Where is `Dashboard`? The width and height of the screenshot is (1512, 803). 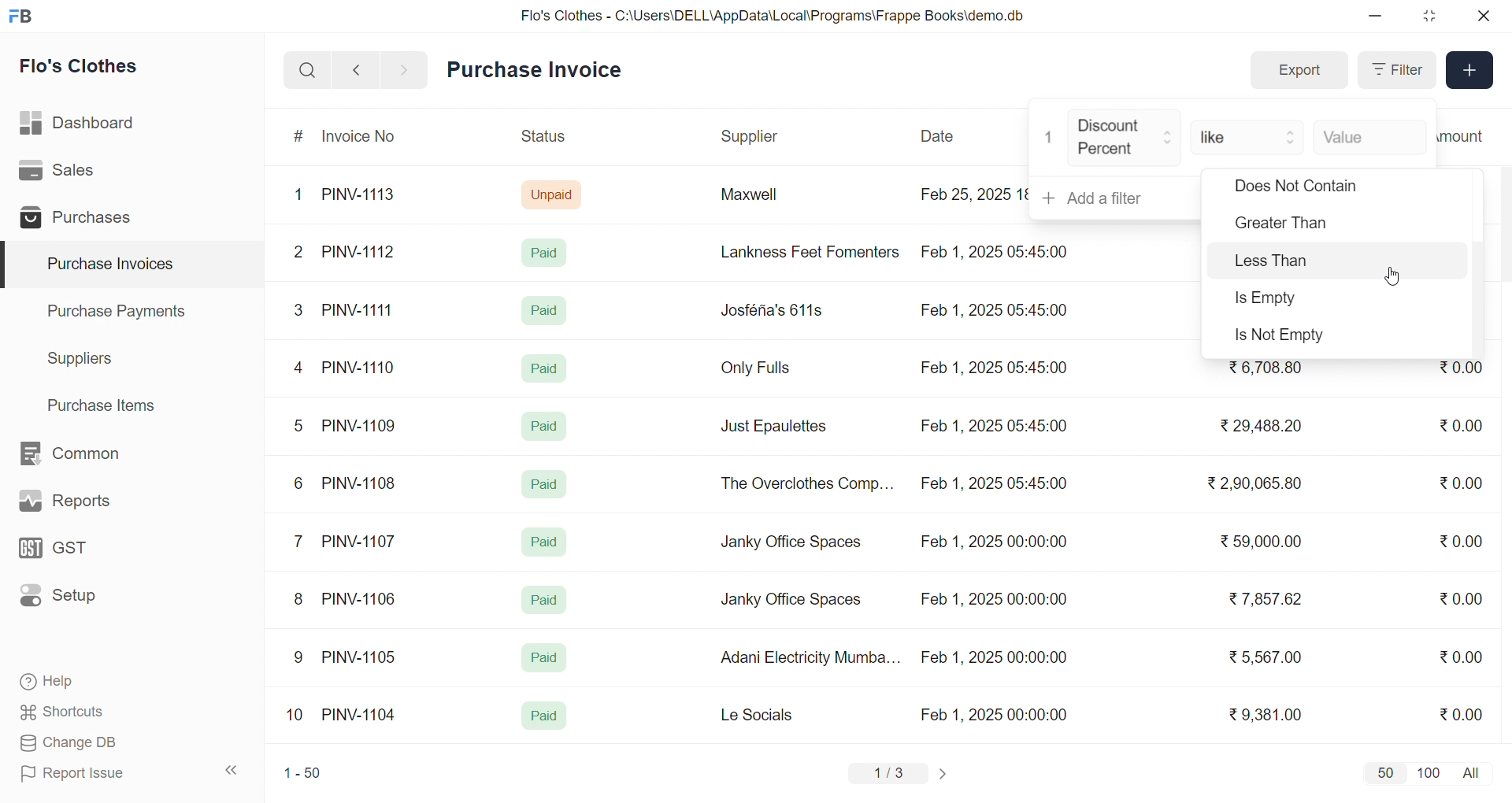
Dashboard is located at coordinates (82, 126).